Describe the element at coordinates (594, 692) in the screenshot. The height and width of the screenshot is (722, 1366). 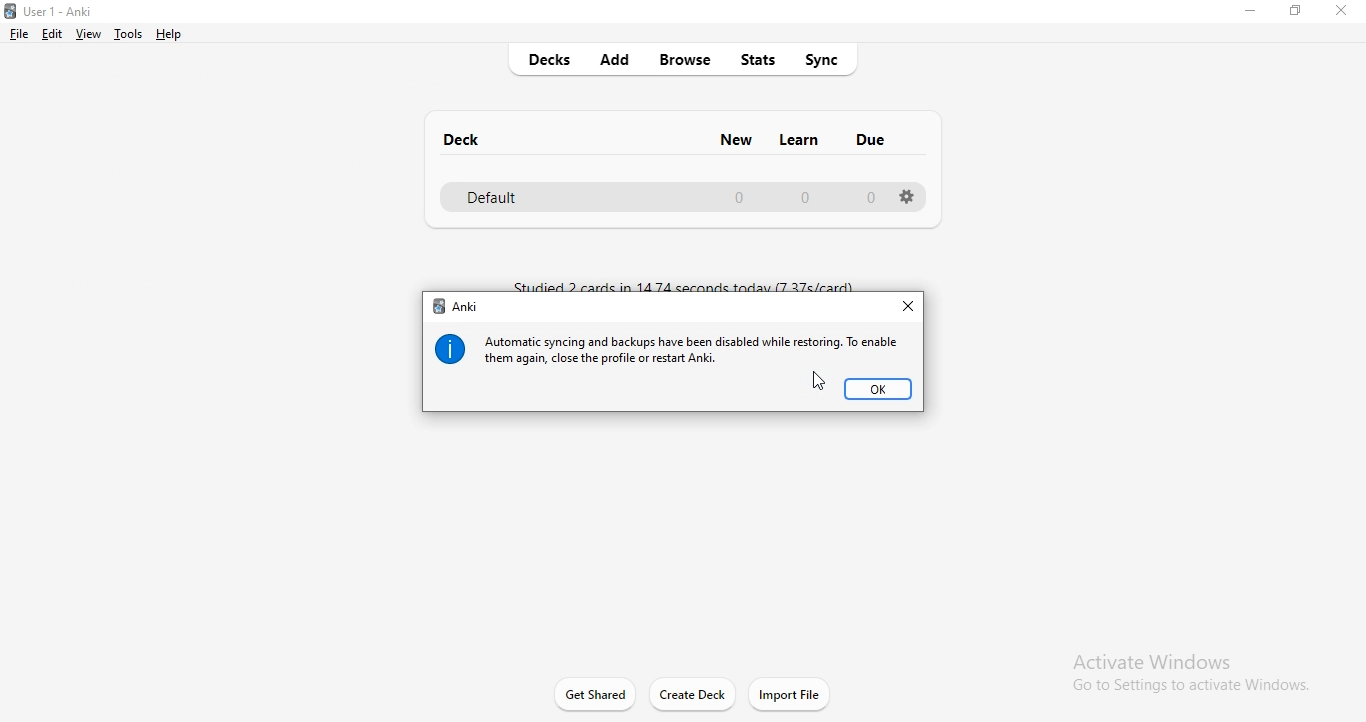
I see `get started` at that location.